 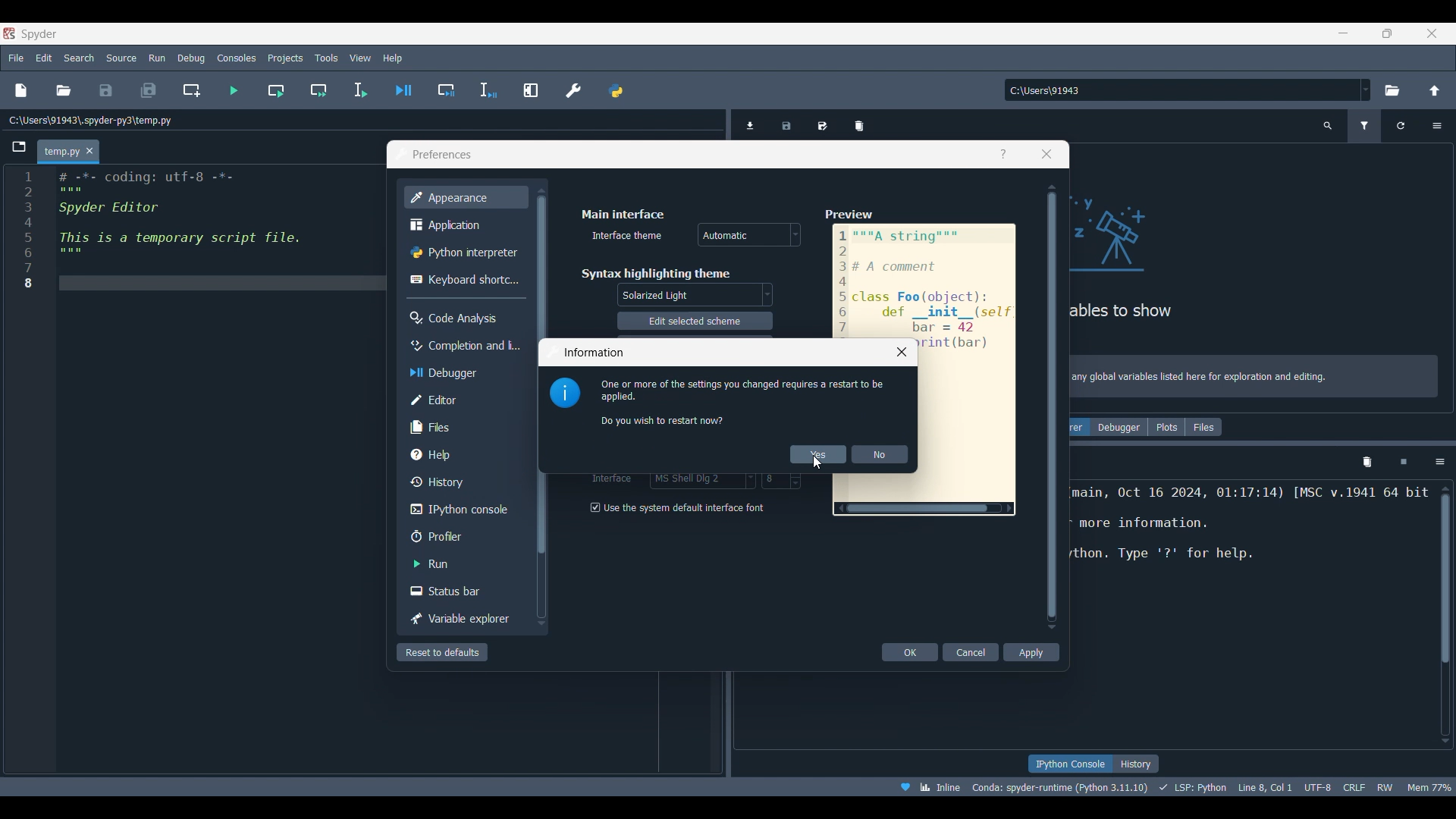 I want to click on Appearance, current selection highlighted, so click(x=466, y=197).